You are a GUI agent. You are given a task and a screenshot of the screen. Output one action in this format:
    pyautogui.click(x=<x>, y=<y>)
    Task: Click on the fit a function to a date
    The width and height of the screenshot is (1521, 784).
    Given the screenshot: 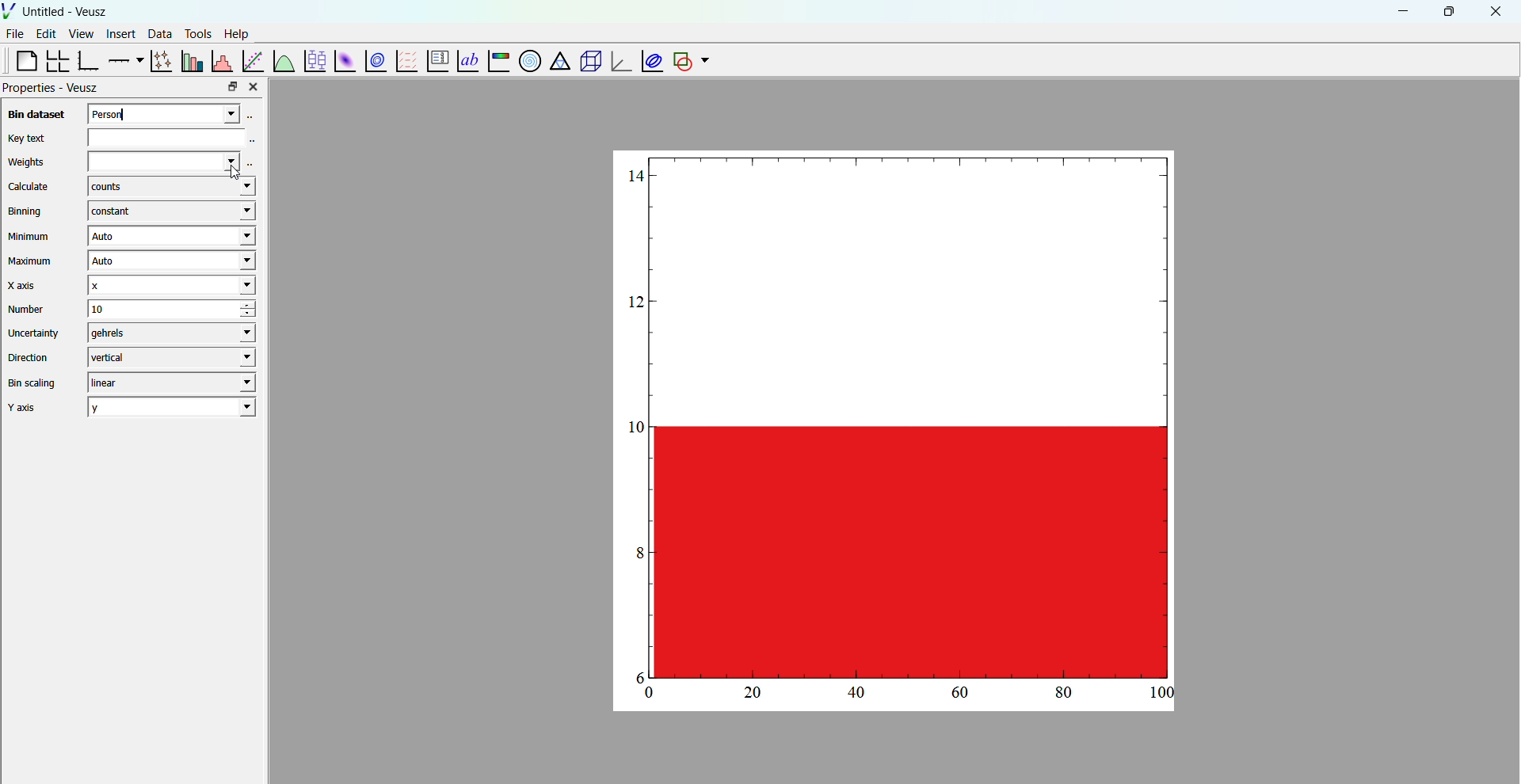 What is the action you would take?
    pyautogui.click(x=253, y=60)
    